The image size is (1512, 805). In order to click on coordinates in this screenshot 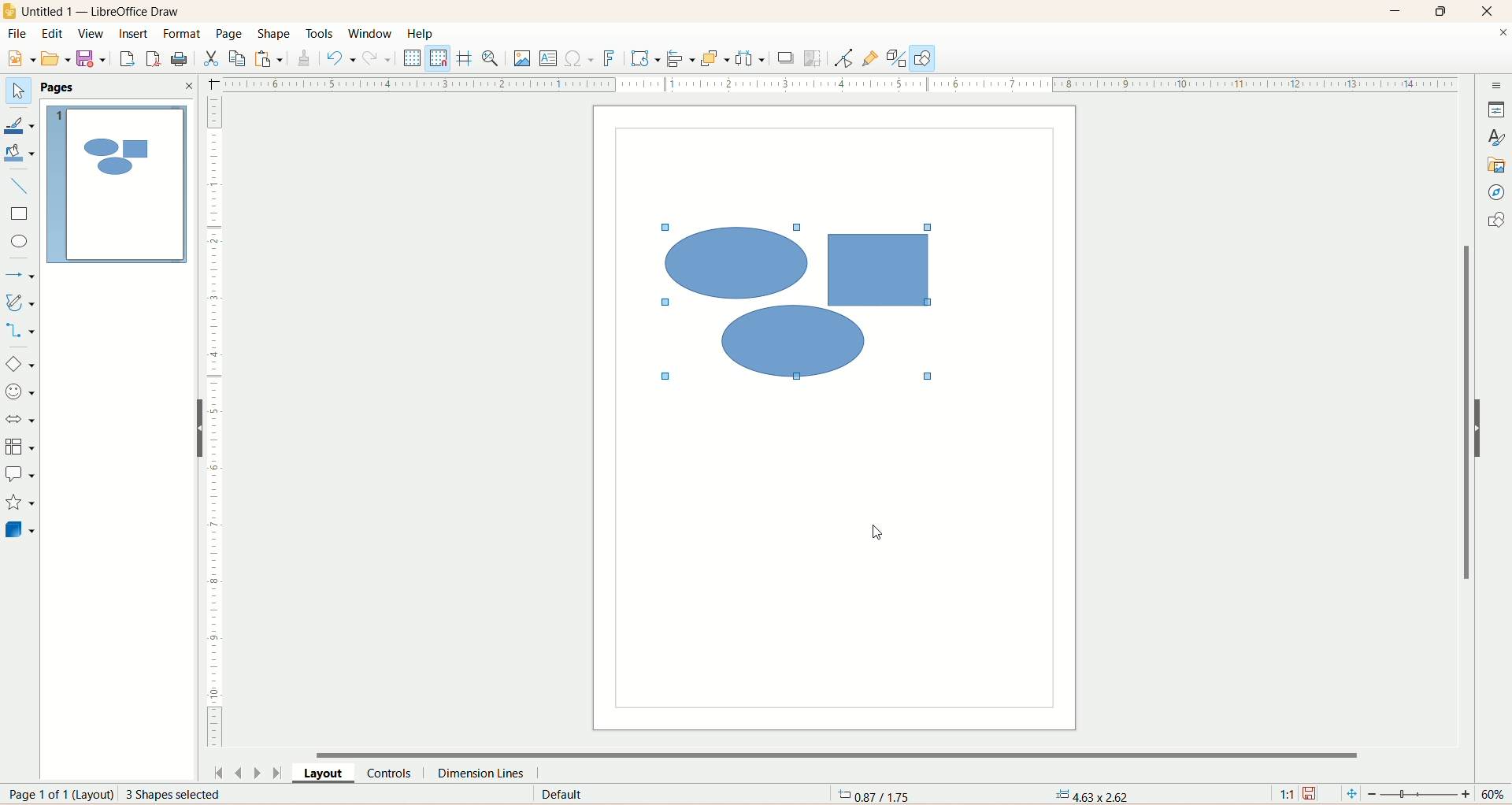, I will do `click(871, 796)`.